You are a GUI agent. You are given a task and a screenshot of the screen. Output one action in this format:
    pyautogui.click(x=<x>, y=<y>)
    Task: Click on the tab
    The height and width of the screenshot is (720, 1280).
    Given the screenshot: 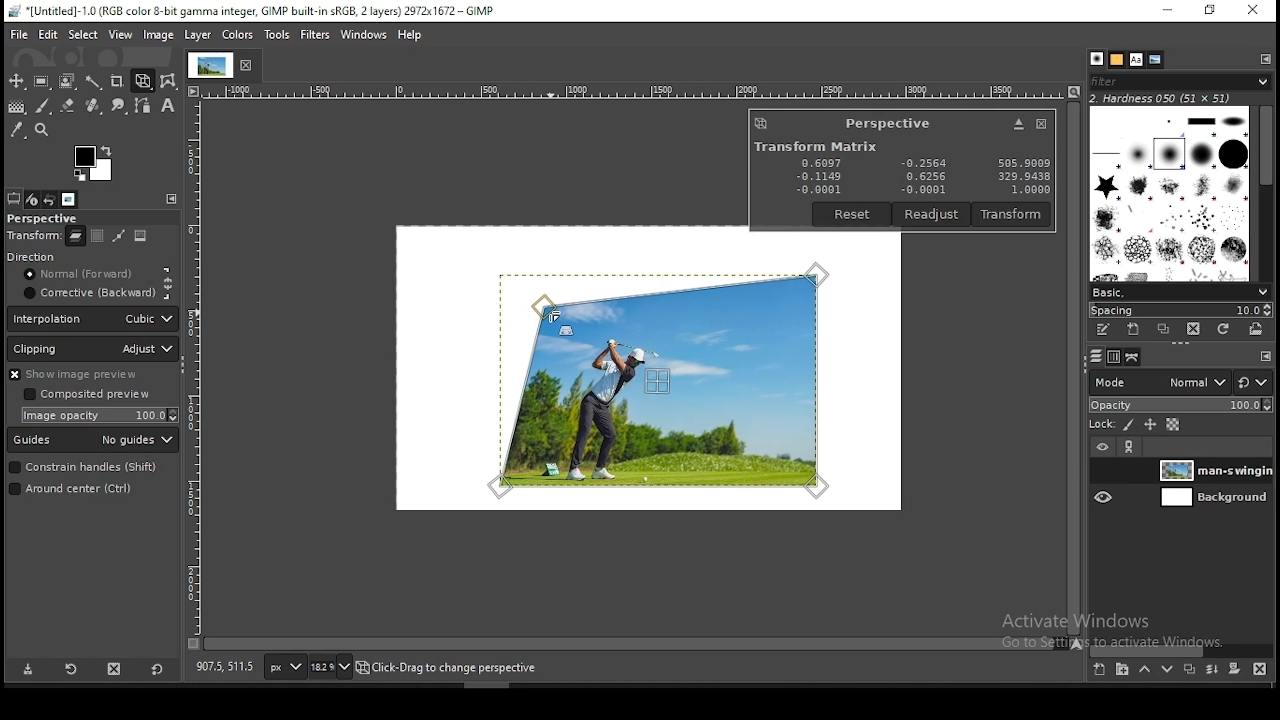 What is the action you would take?
    pyautogui.click(x=209, y=65)
    